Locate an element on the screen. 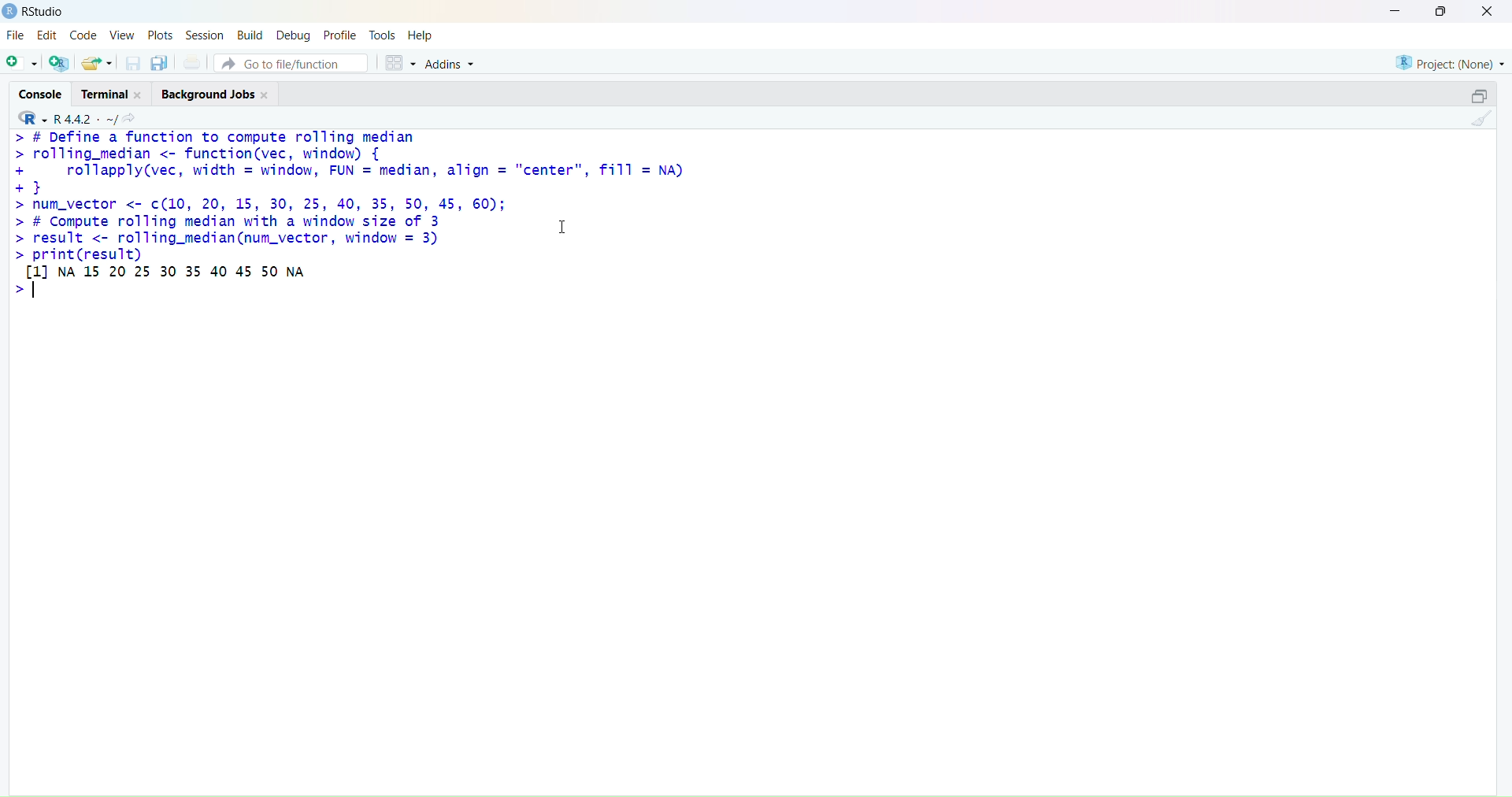 Image resolution: width=1512 pixels, height=797 pixels. edit is located at coordinates (47, 35).